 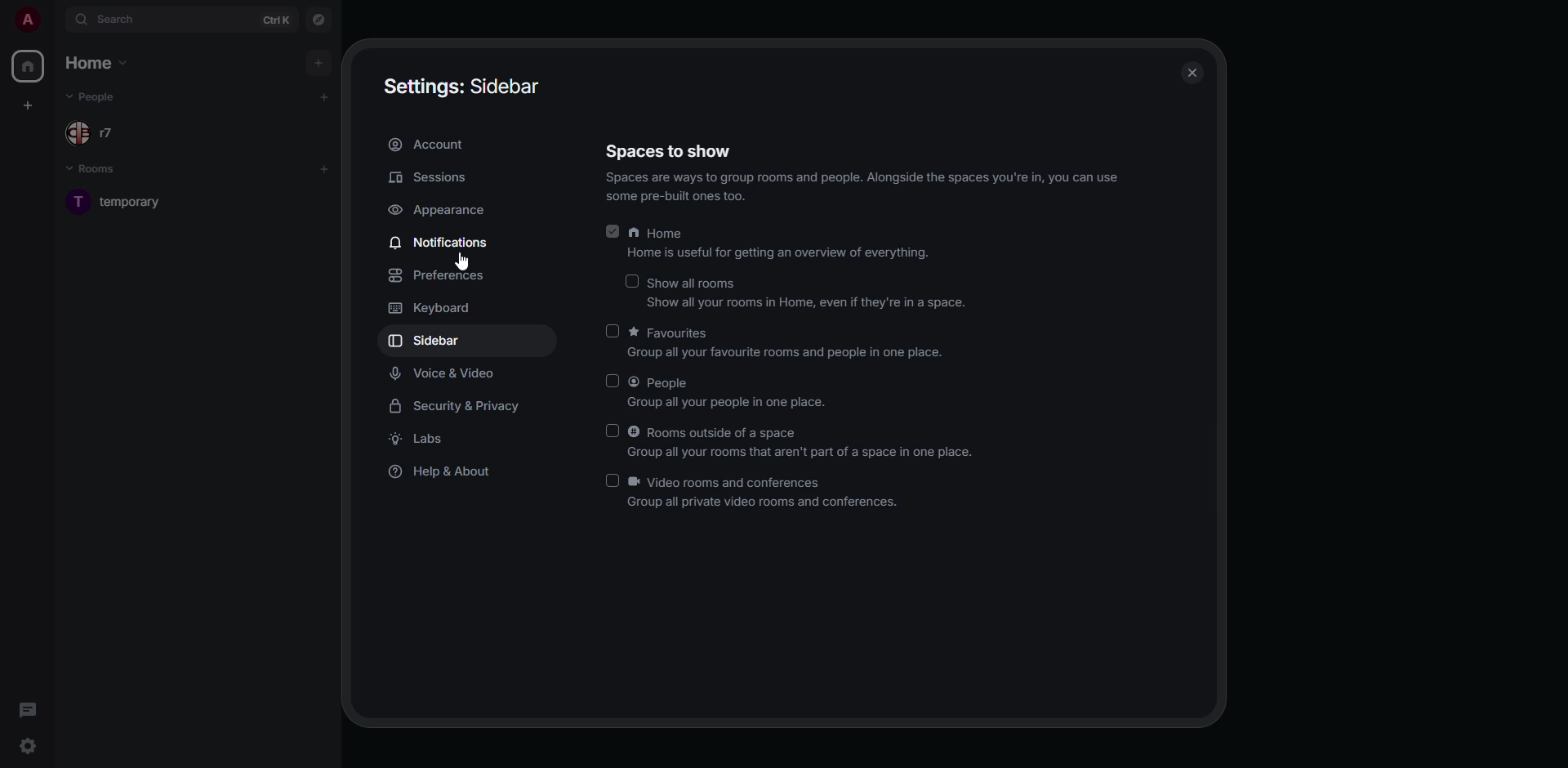 What do you see at coordinates (863, 186) in the screenshot?
I see `info` at bounding box center [863, 186].